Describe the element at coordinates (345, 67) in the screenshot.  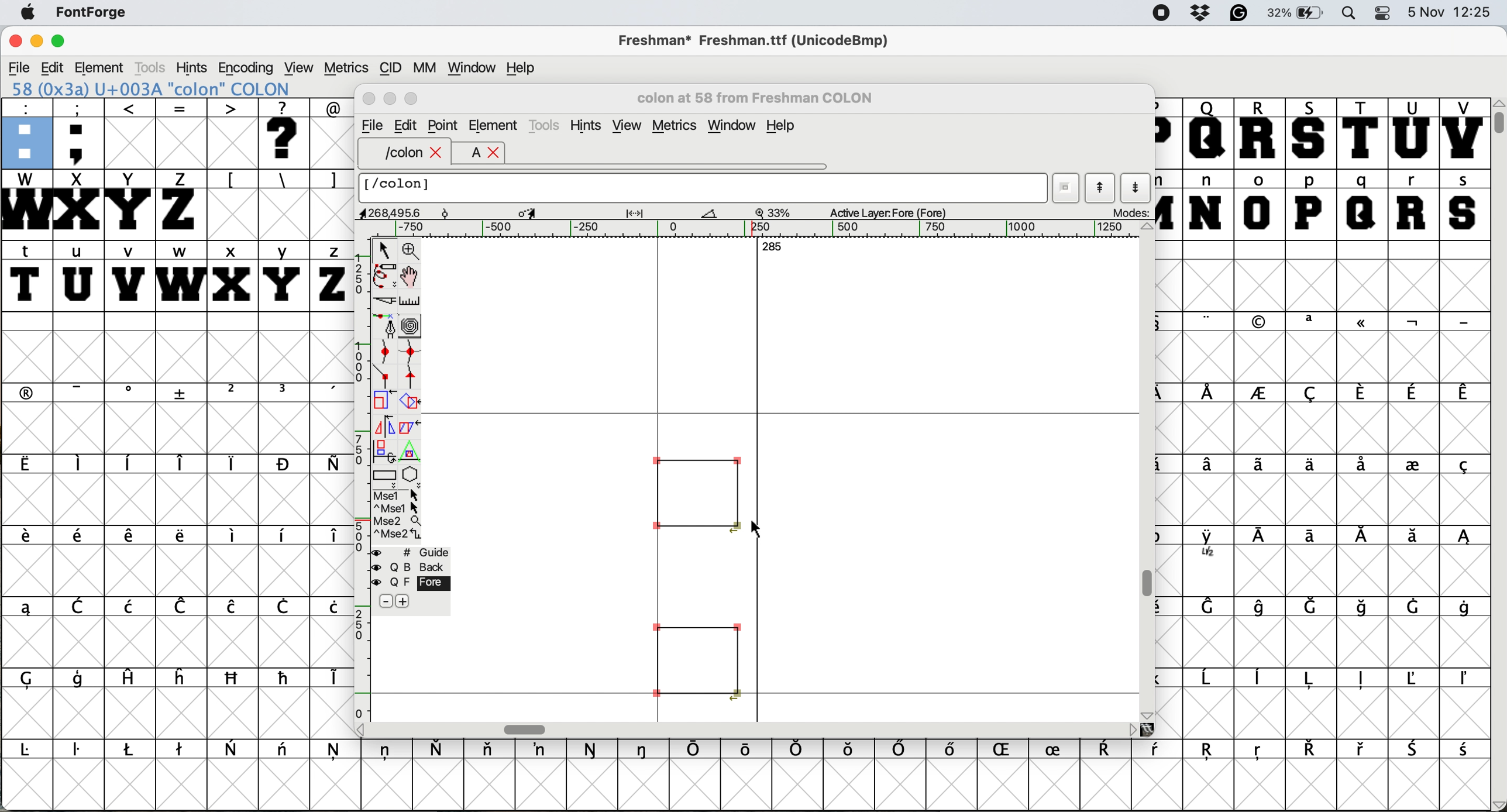
I see `metrics` at that location.